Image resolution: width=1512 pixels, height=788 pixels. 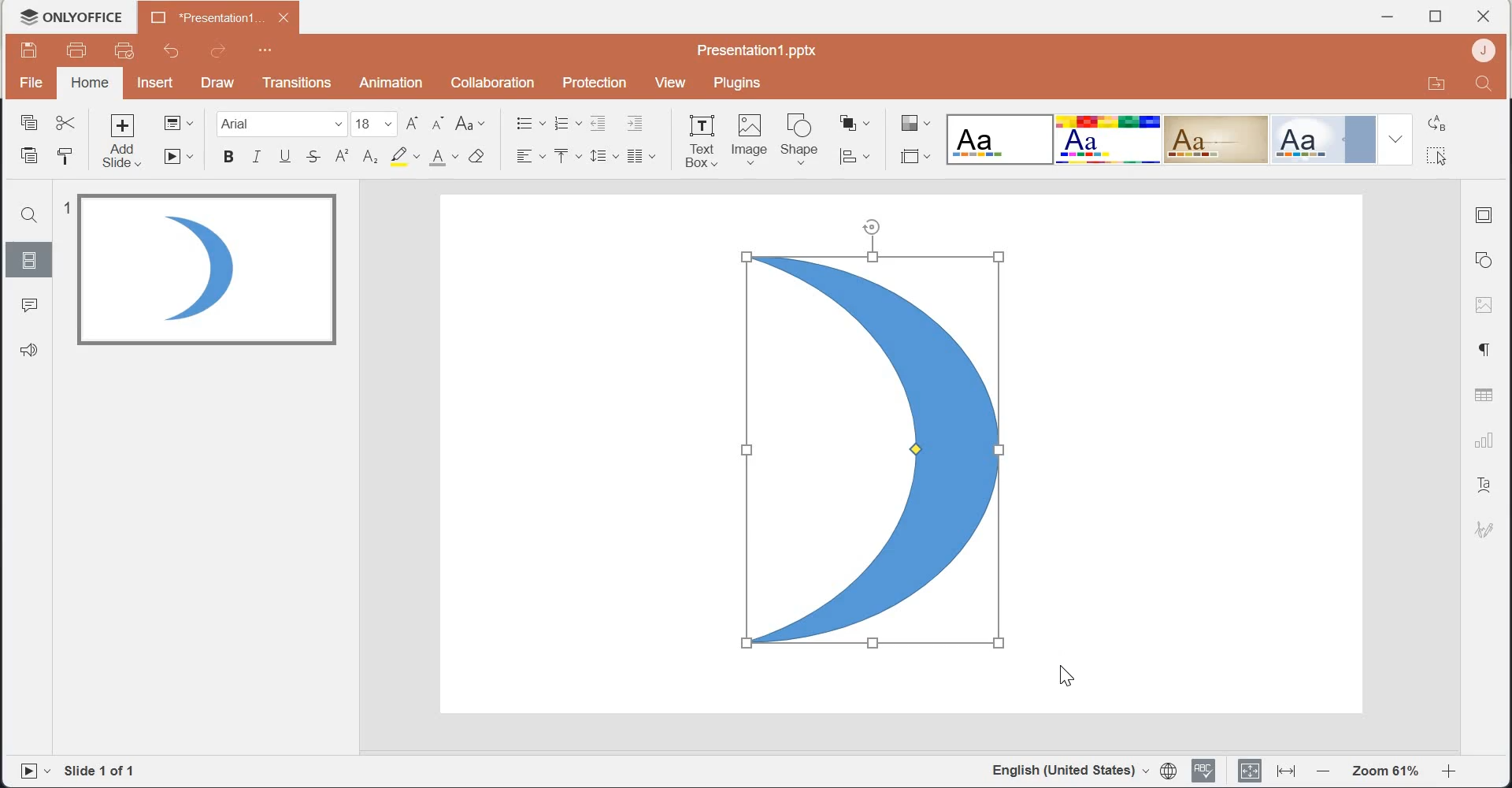 What do you see at coordinates (758, 50) in the screenshot?
I see `Presentation1.pptx` at bounding box center [758, 50].